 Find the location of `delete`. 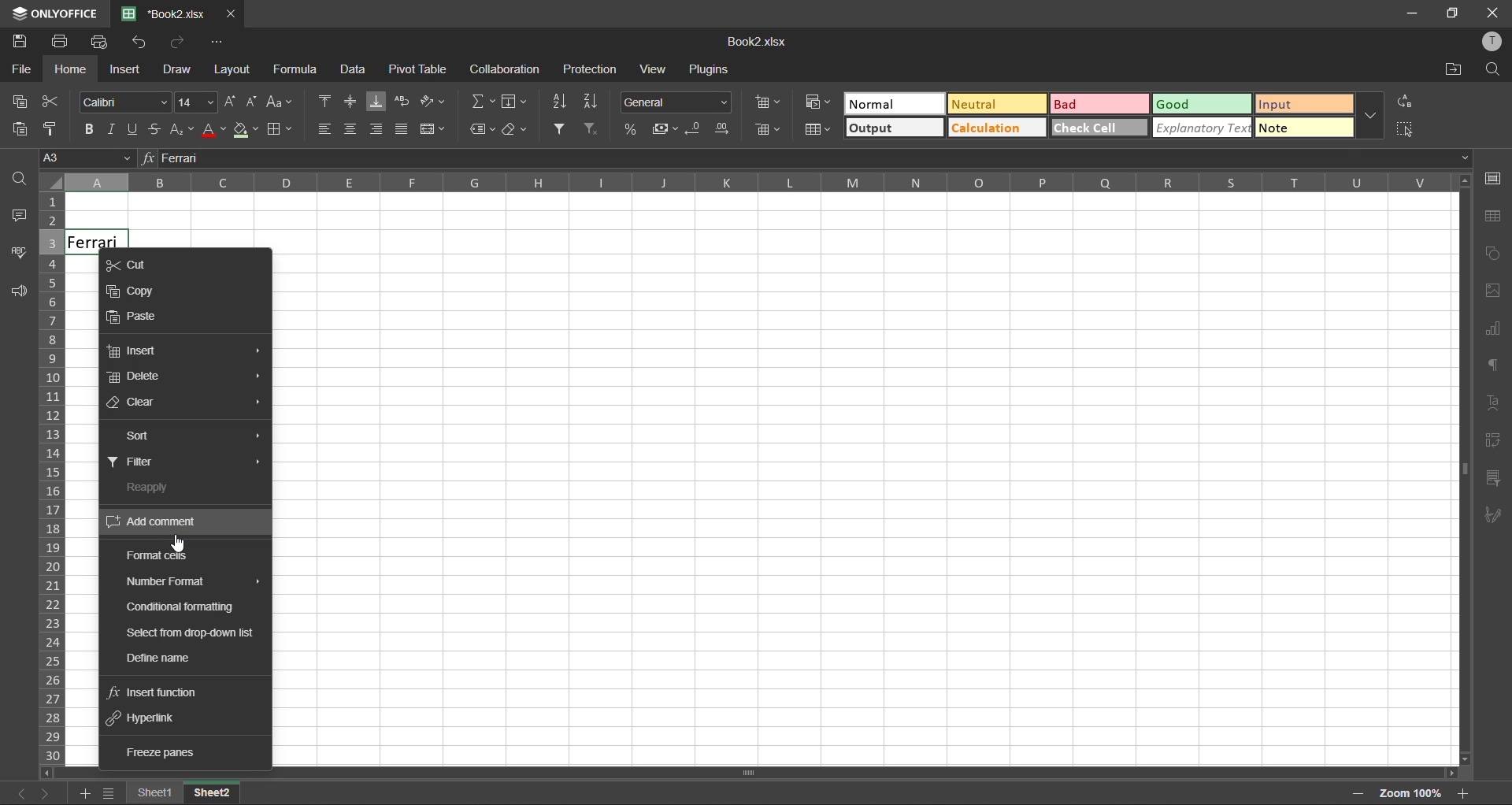

delete is located at coordinates (142, 378).